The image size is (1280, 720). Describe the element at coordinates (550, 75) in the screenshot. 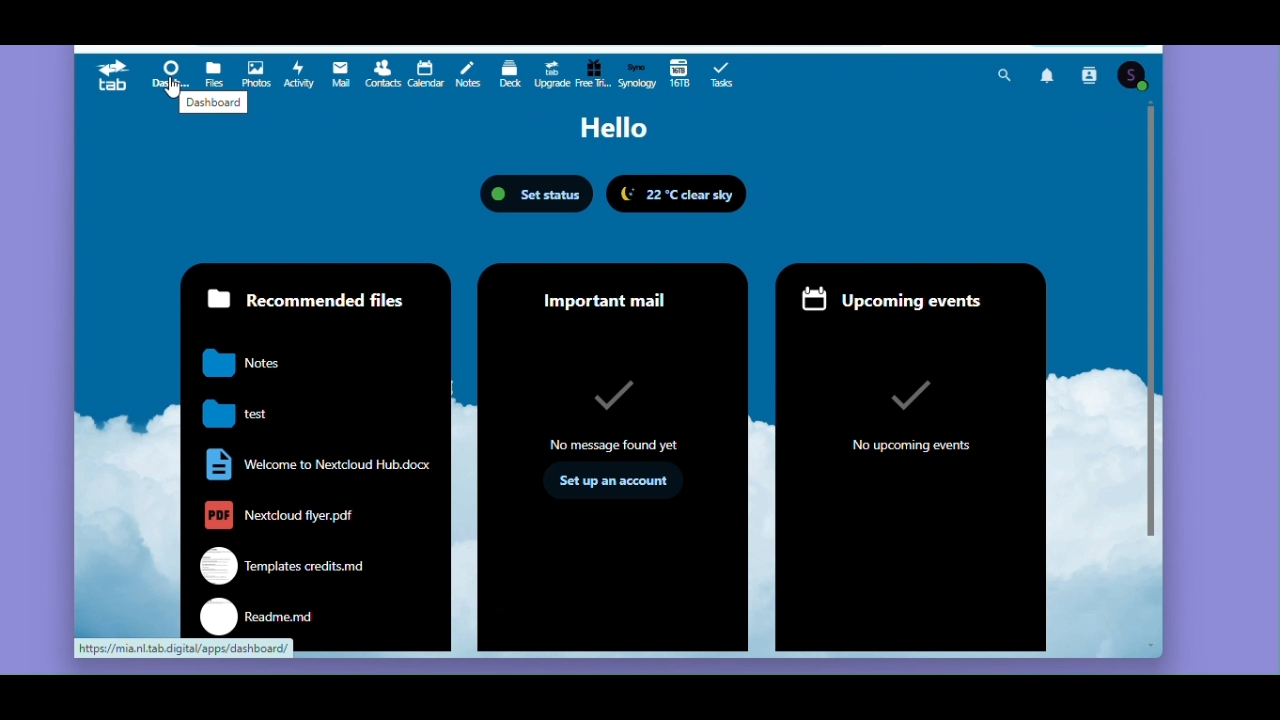

I see `Upgrade` at that location.